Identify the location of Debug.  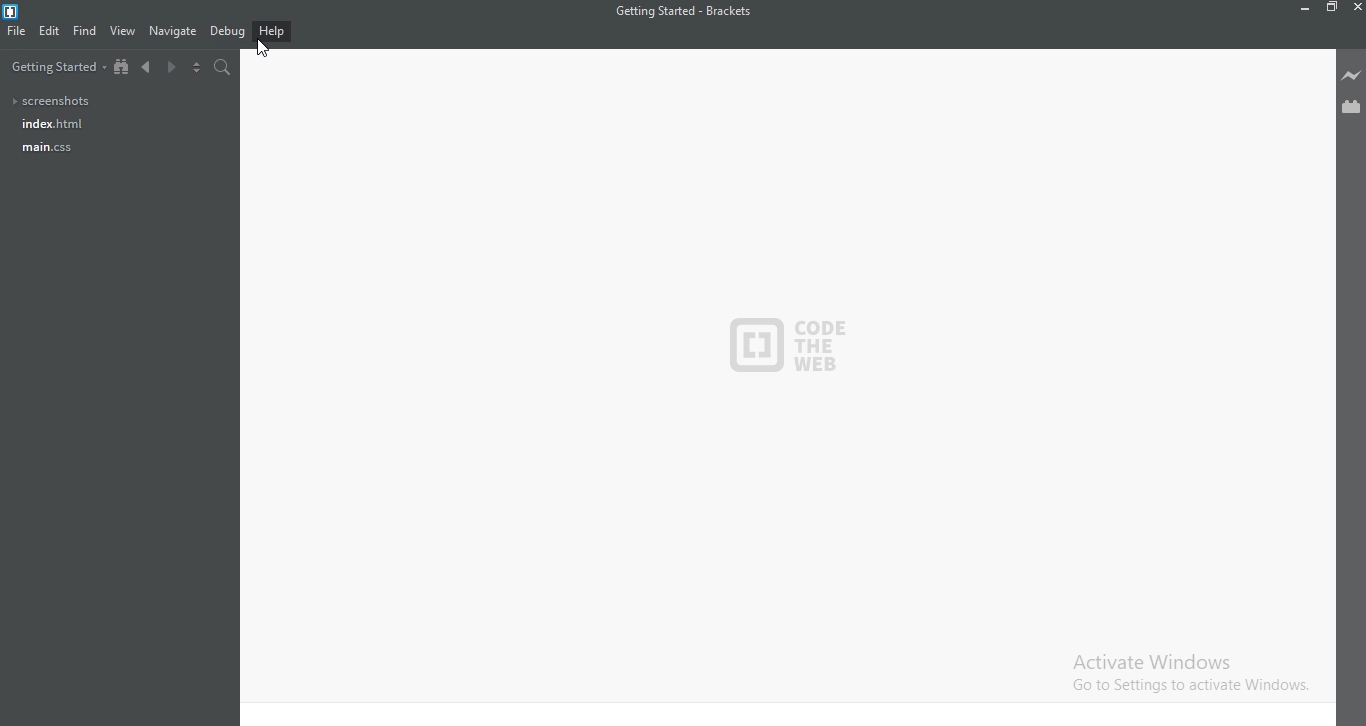
(228, 32).